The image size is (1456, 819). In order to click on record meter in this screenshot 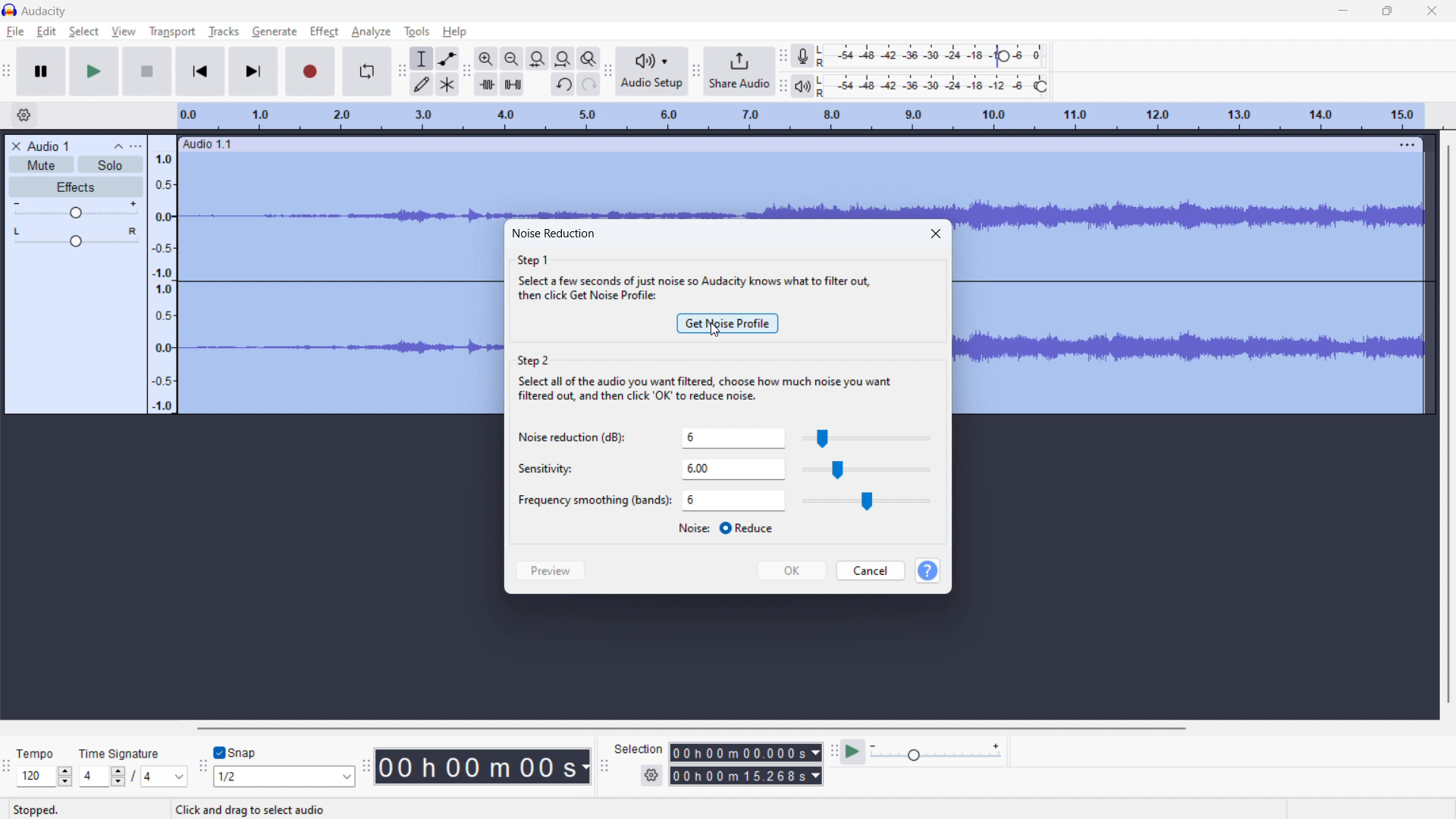, I will do `click(935, 55)`.